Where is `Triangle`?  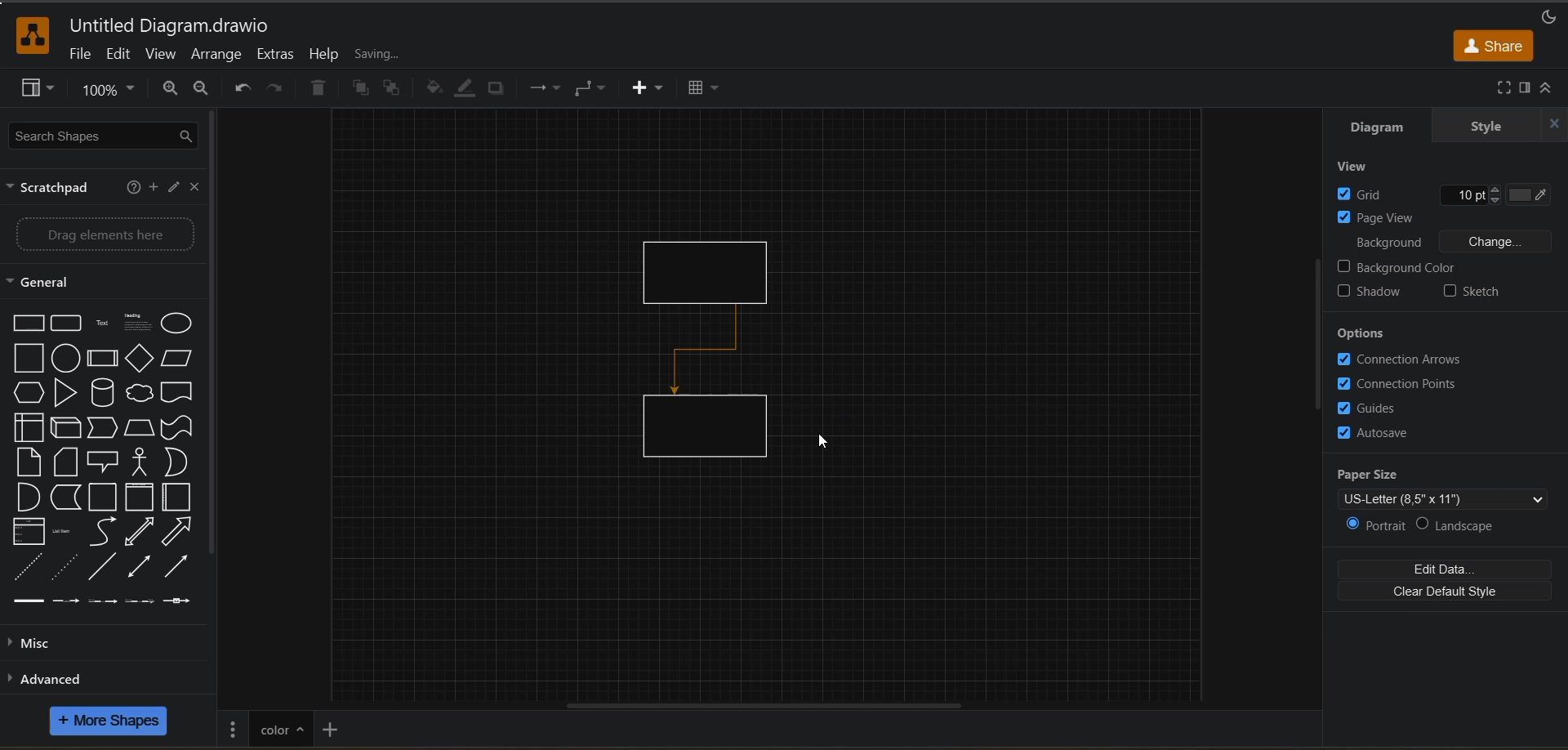
Triangle is located at coordinates (65, 393).